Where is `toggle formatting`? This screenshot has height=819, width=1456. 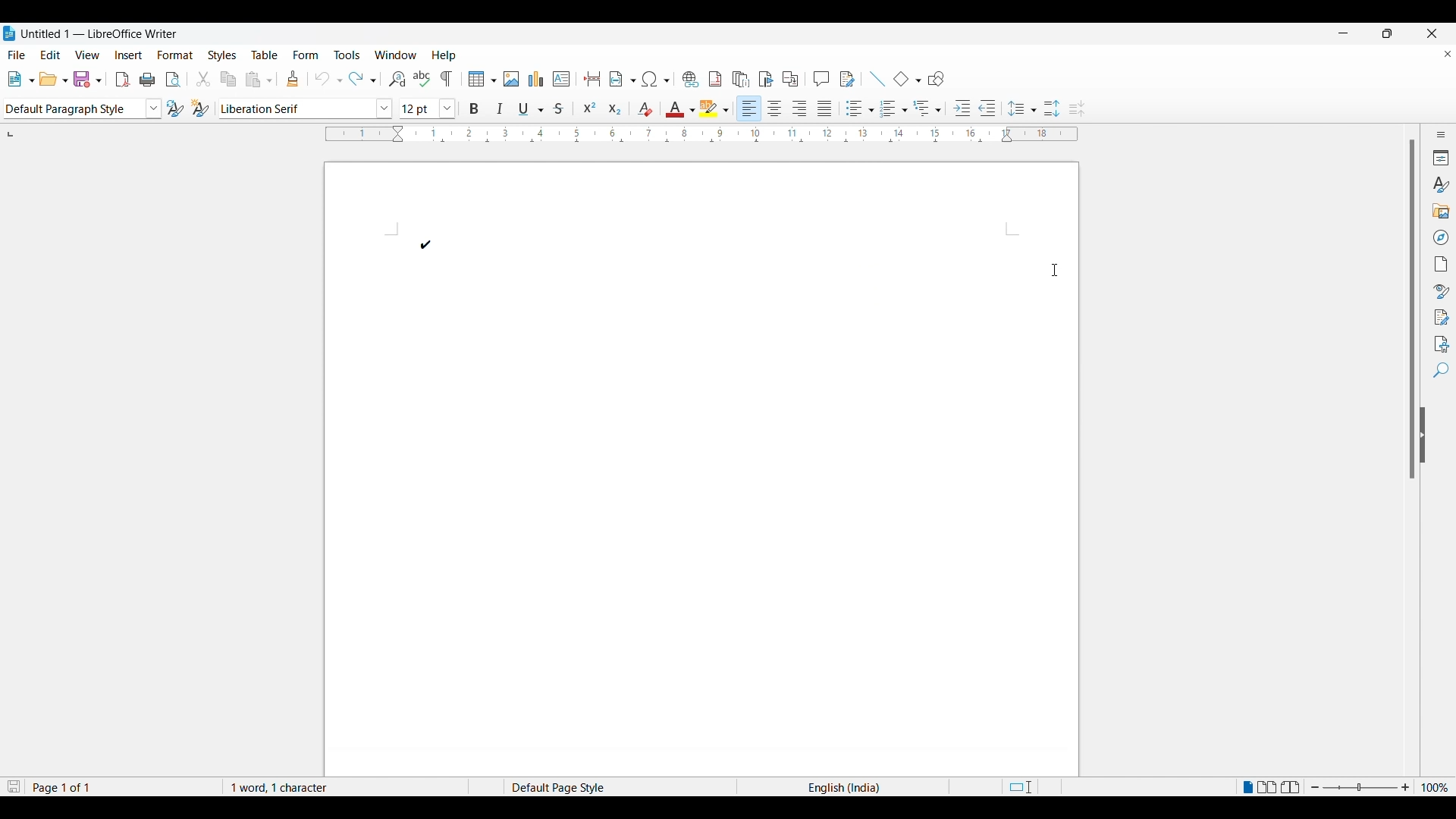 toggle formatting is located at coordinates (448, 79).